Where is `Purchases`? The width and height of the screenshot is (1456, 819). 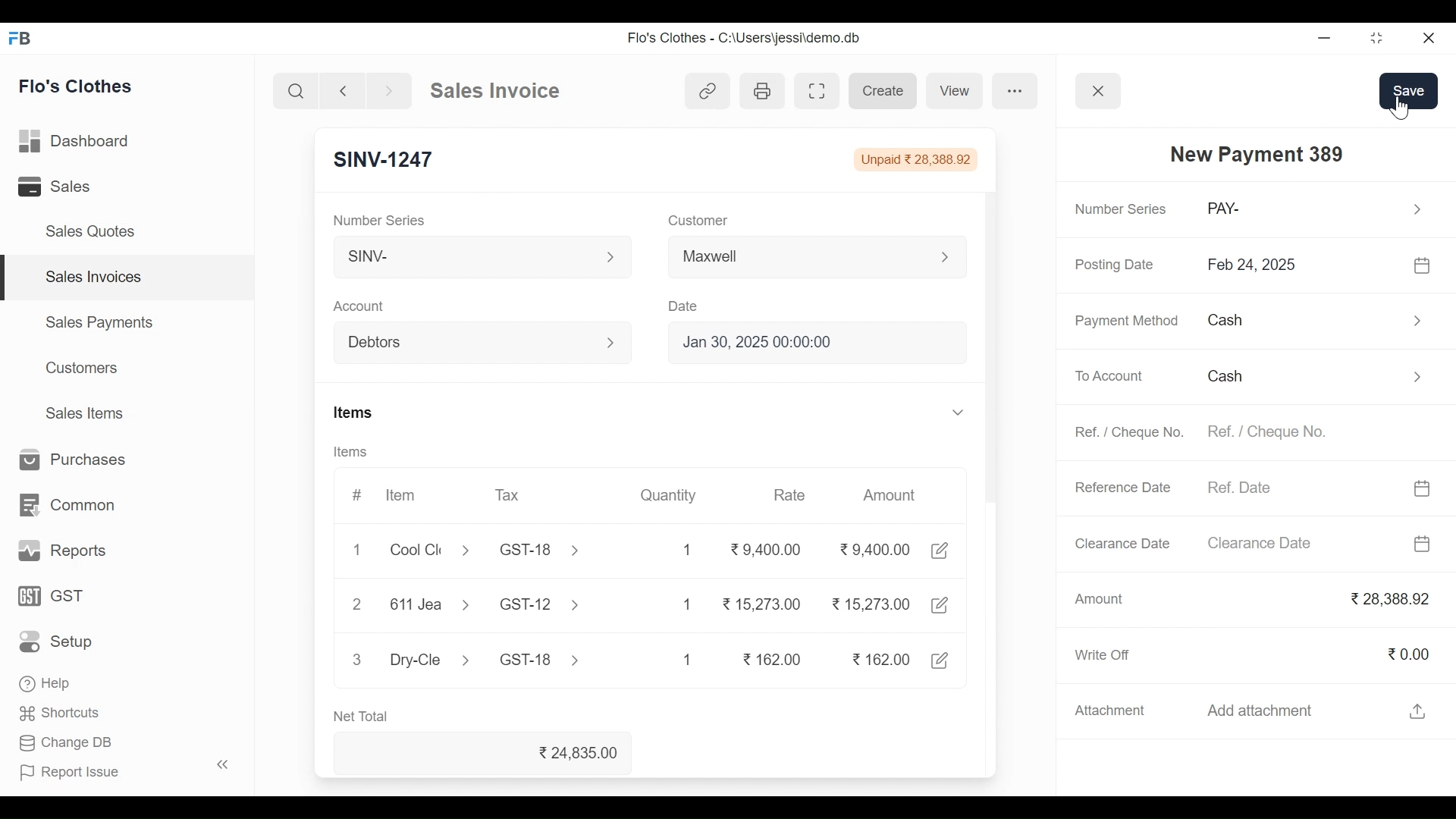 Purchases is located at coordinates (67, 460).